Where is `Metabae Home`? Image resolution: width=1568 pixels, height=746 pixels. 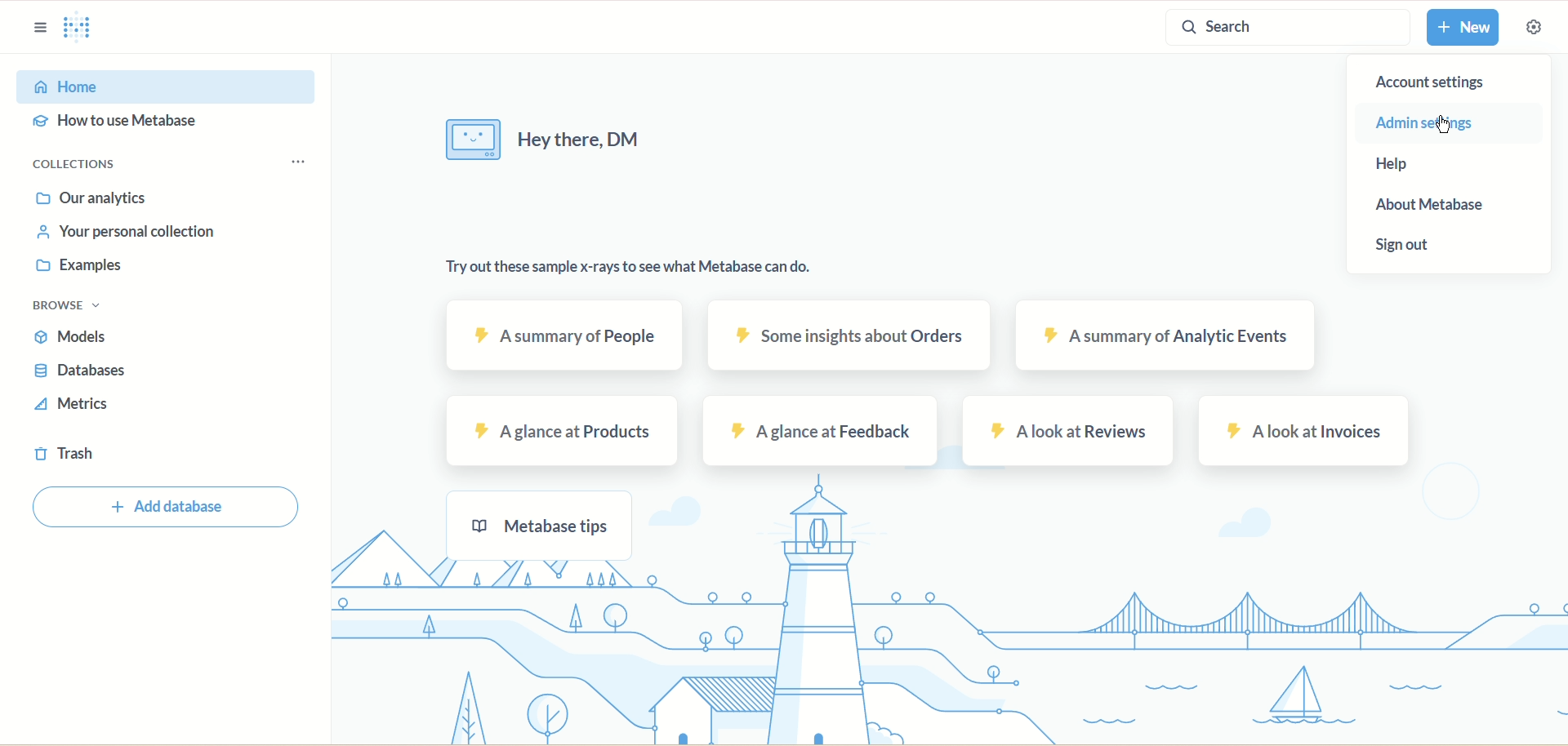
Metabae Home is located at coordinates (81, 25).